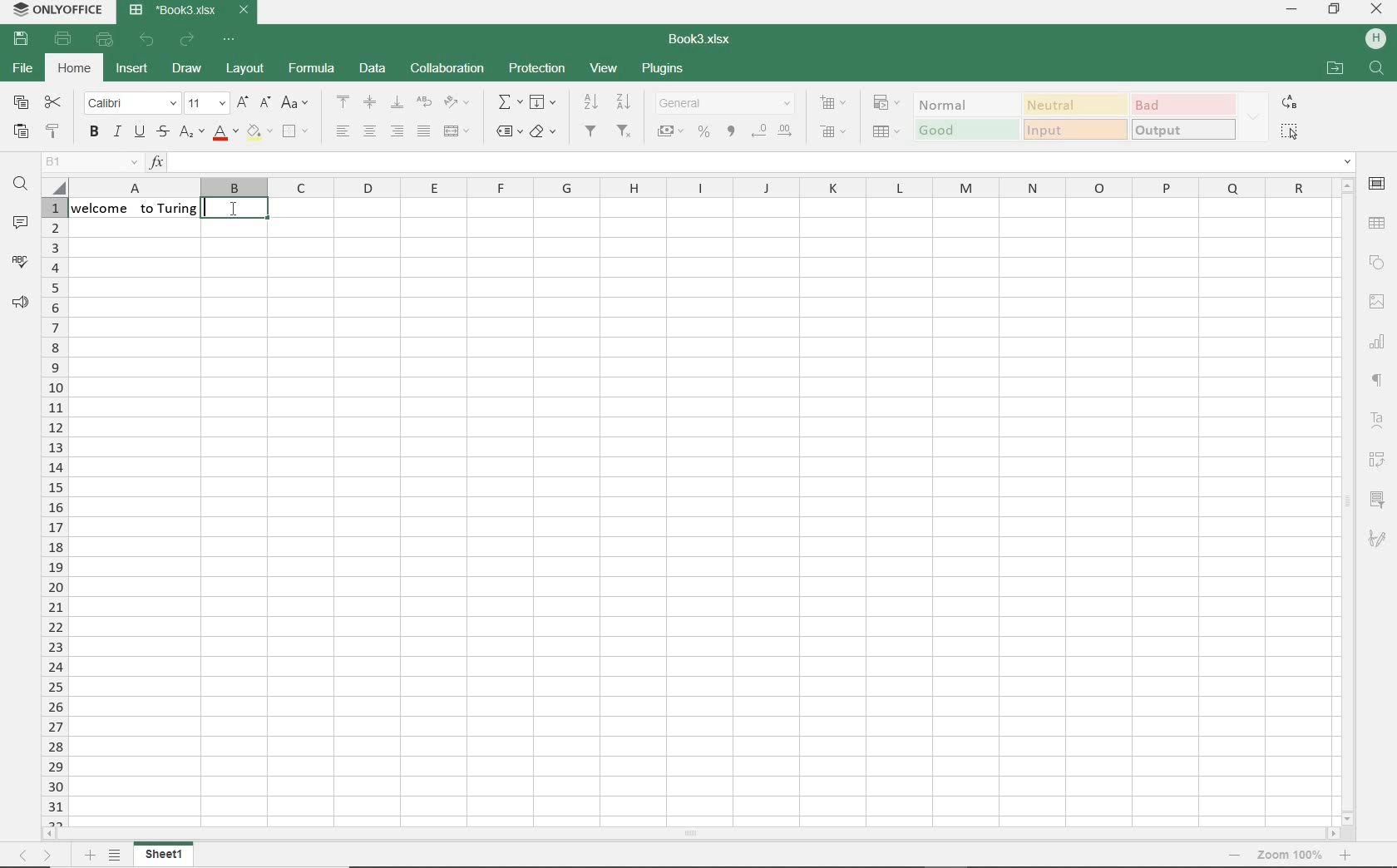 The height and width of the screenshot is (868, 1397). Describe the element at coordinates (1289, 101) in the screenshot. I see `REPLACE` at that location.